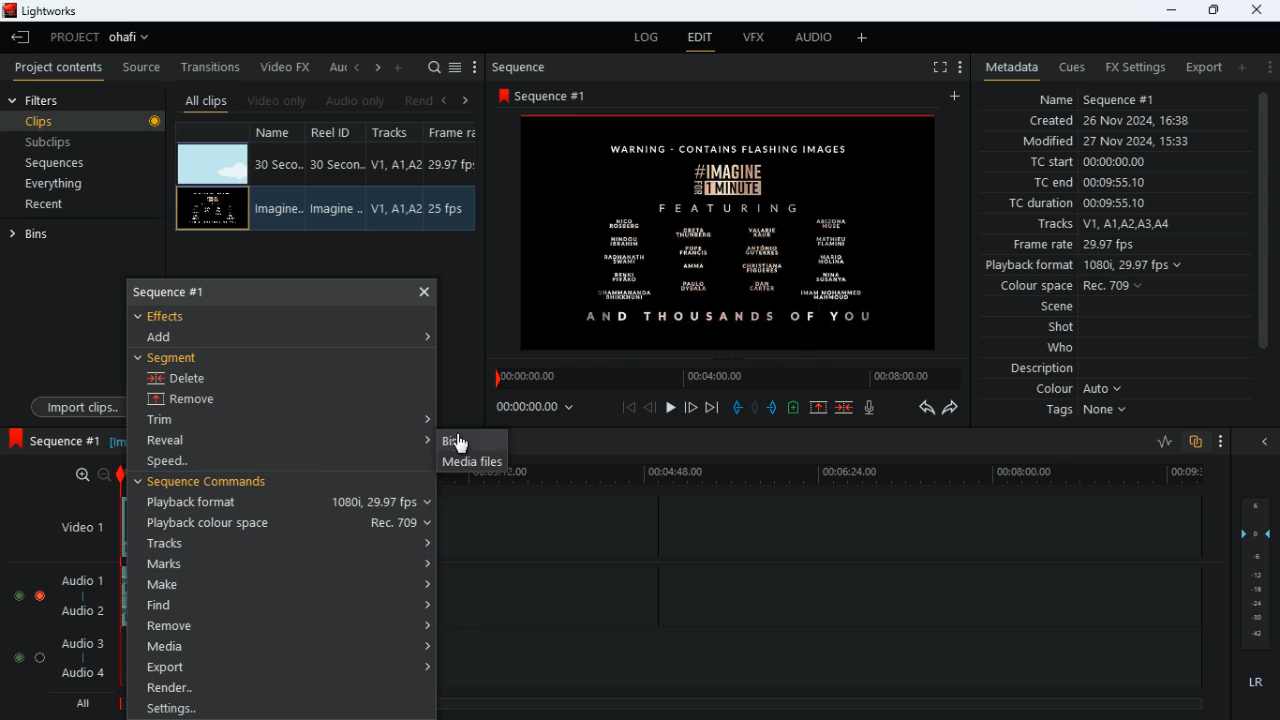  I want to click on maximize, so click(1213, 10).